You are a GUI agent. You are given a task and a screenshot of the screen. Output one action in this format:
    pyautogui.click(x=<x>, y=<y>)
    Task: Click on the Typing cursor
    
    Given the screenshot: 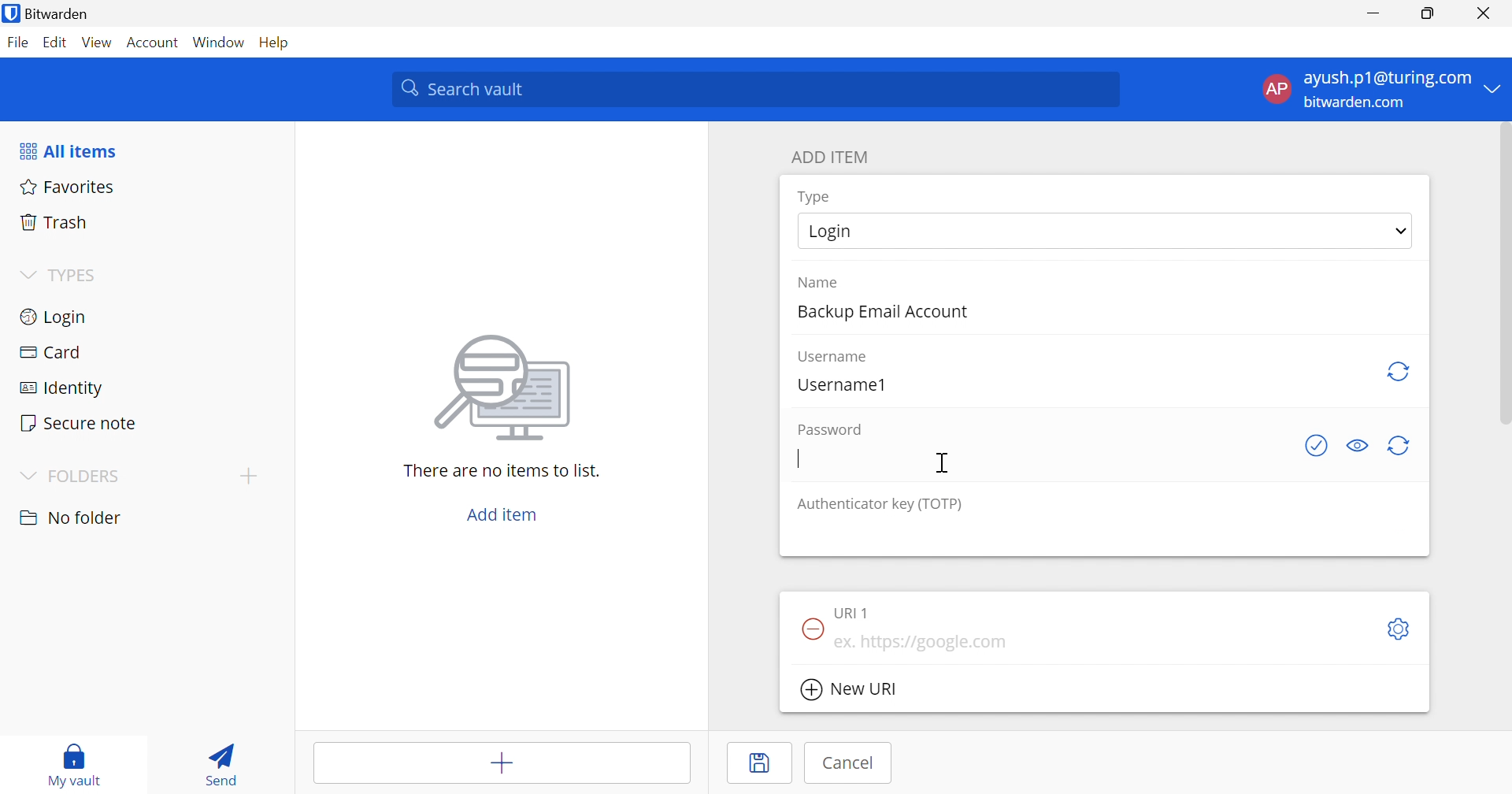 What is the action you would take?
    pyautogui.click(x=798, y=459)
    